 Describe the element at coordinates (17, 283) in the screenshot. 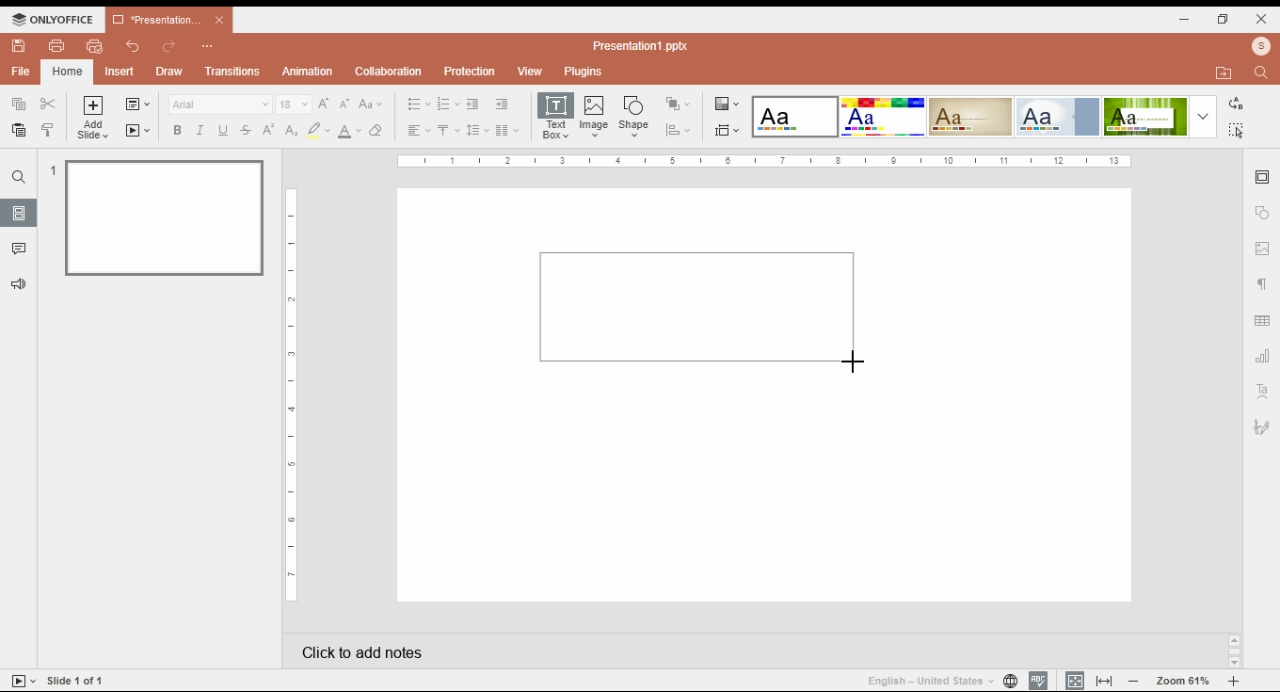

I see `feedback and support` at that location.